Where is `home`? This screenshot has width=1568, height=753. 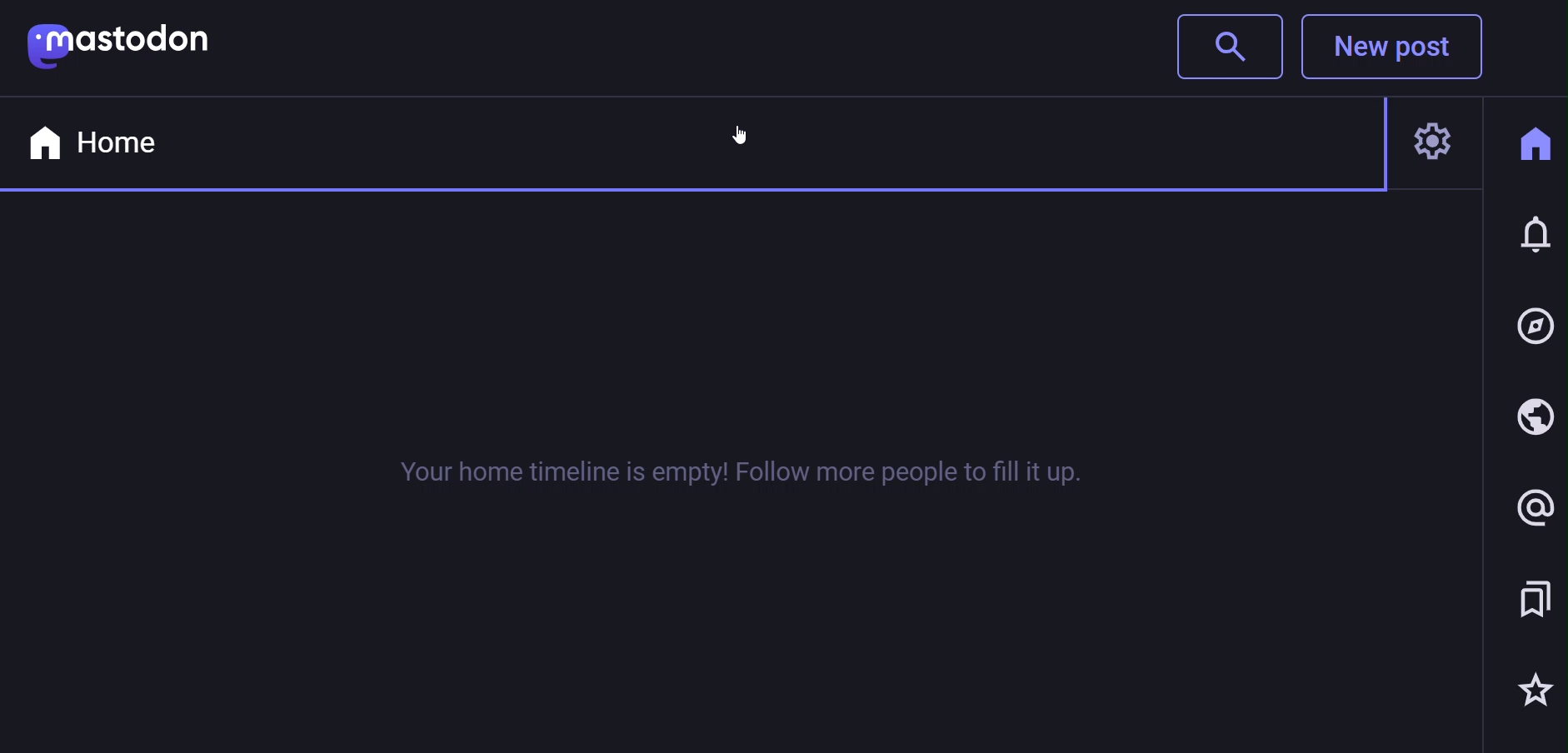 home is located at coordinates (1533, 142).